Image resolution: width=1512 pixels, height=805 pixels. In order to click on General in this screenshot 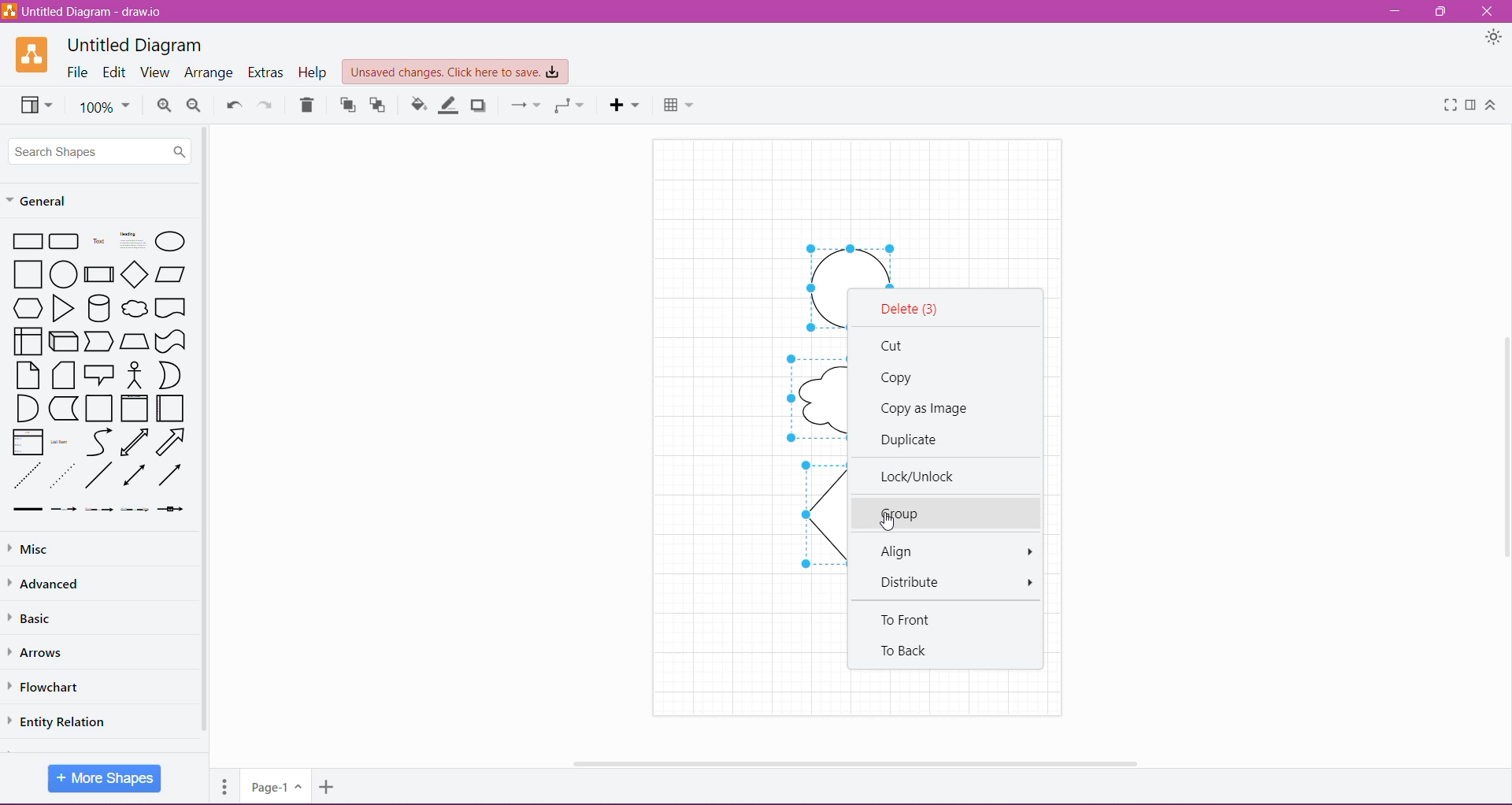, I will do `click(47, 199)`.